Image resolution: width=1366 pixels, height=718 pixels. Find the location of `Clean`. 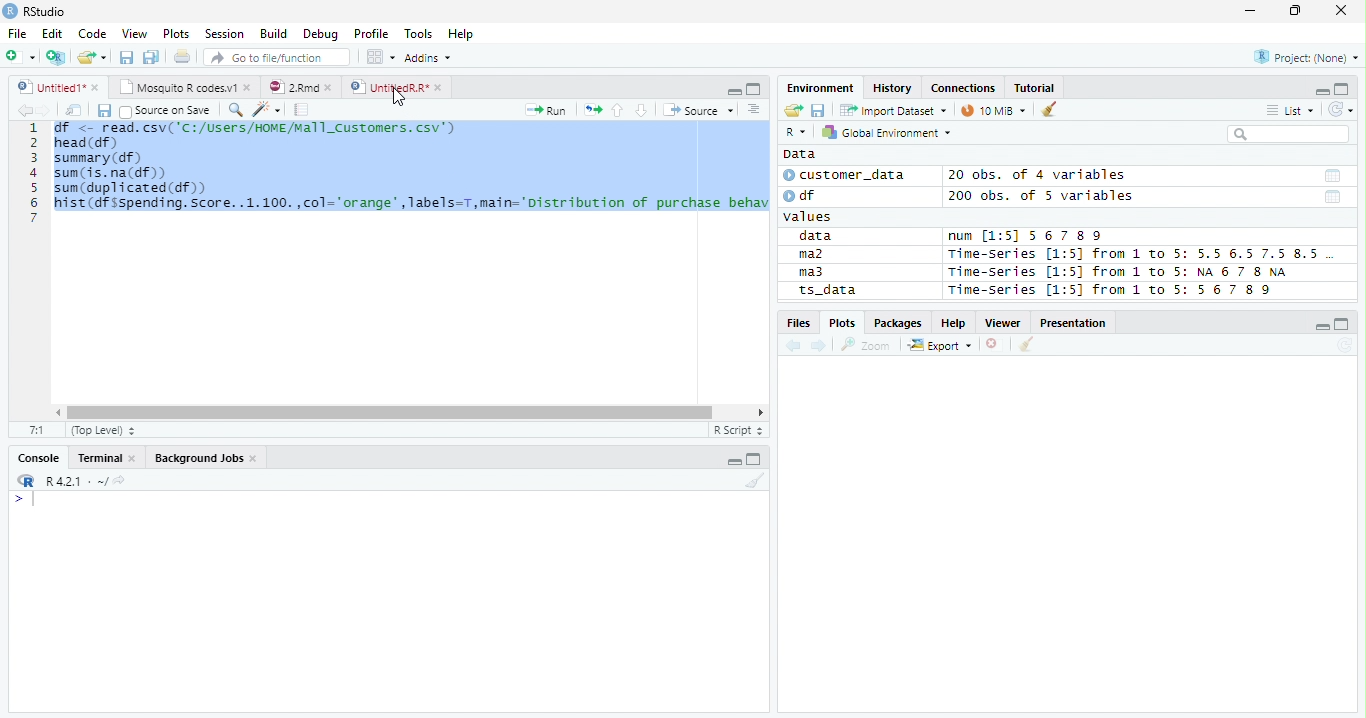

Clean is located at coordinates (1051, 108).